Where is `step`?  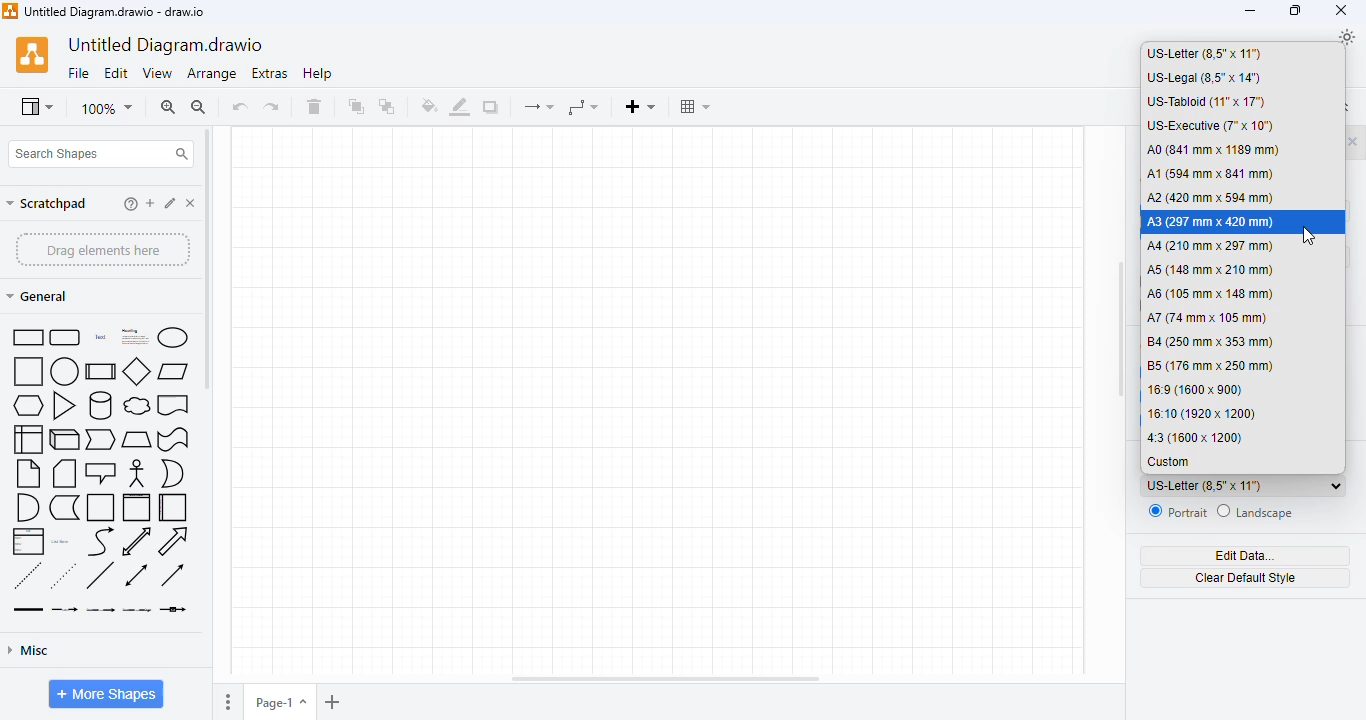
step is located at coordinates (101, 440).